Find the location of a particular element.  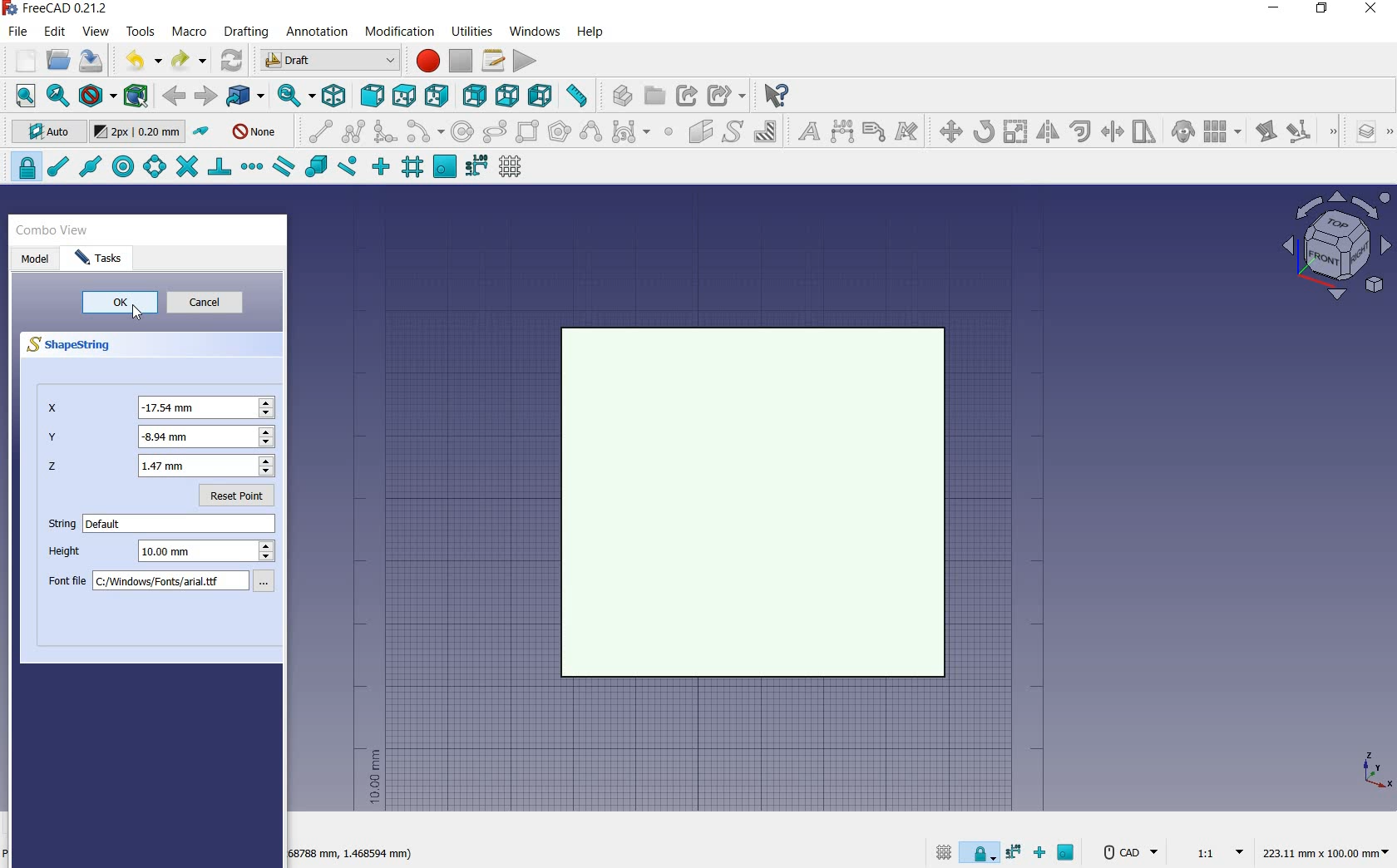

x scaling is located at coordinates (161, 407).